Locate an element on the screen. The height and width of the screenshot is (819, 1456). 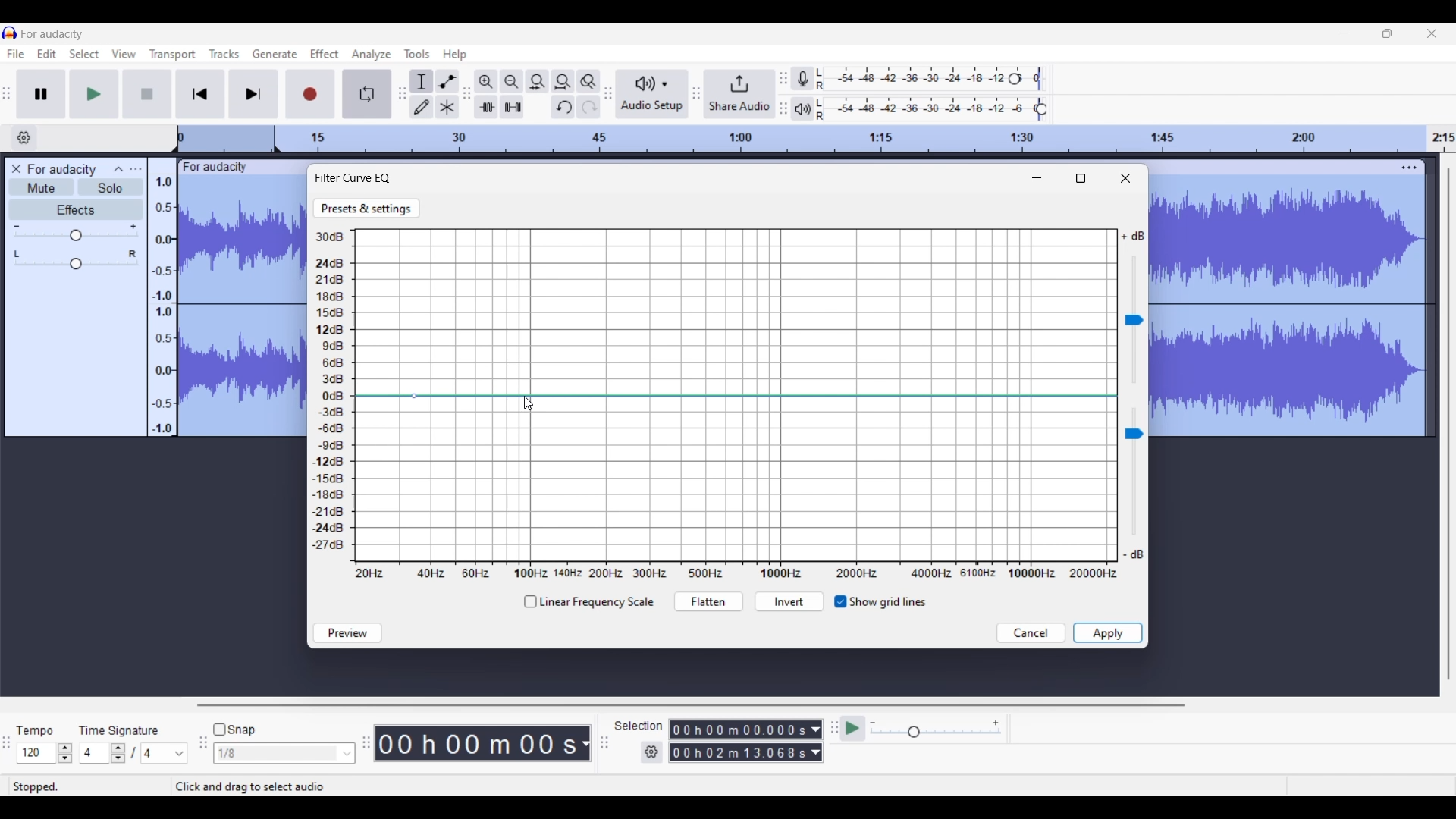
Go to Presets and settings is located at coordinates (367, 209).